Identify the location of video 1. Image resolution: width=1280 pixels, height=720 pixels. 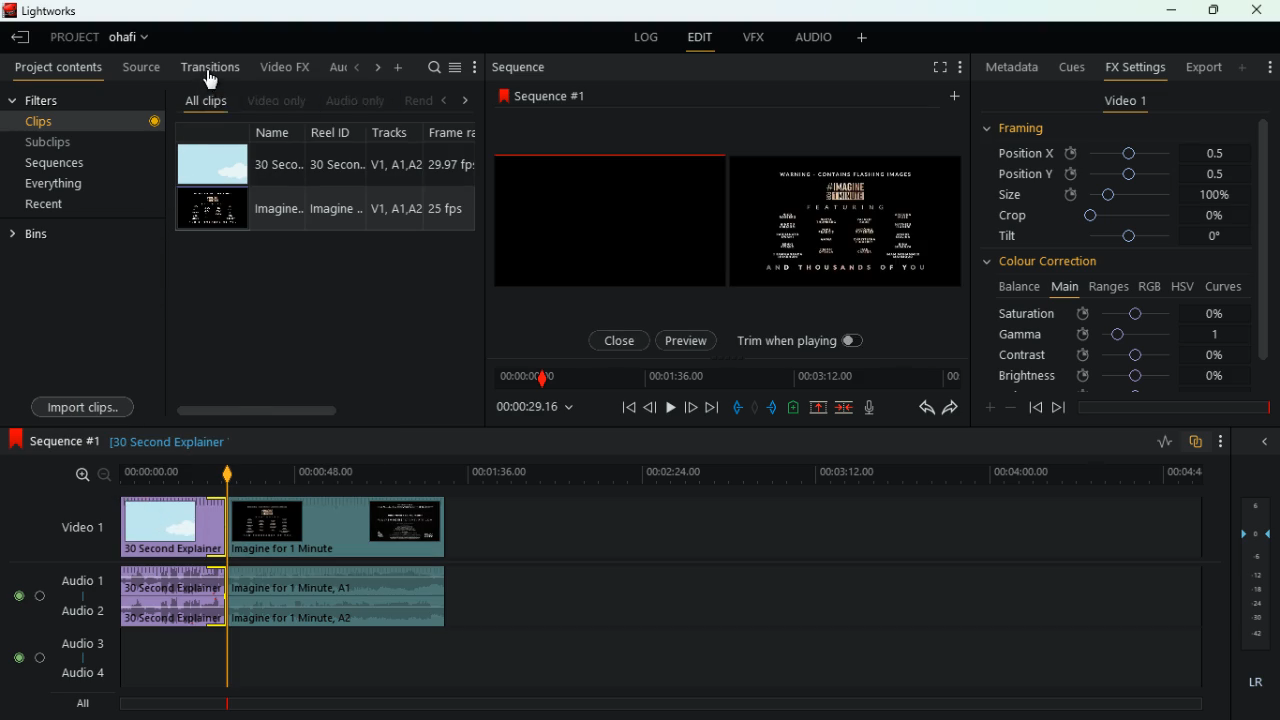
(77, 528).